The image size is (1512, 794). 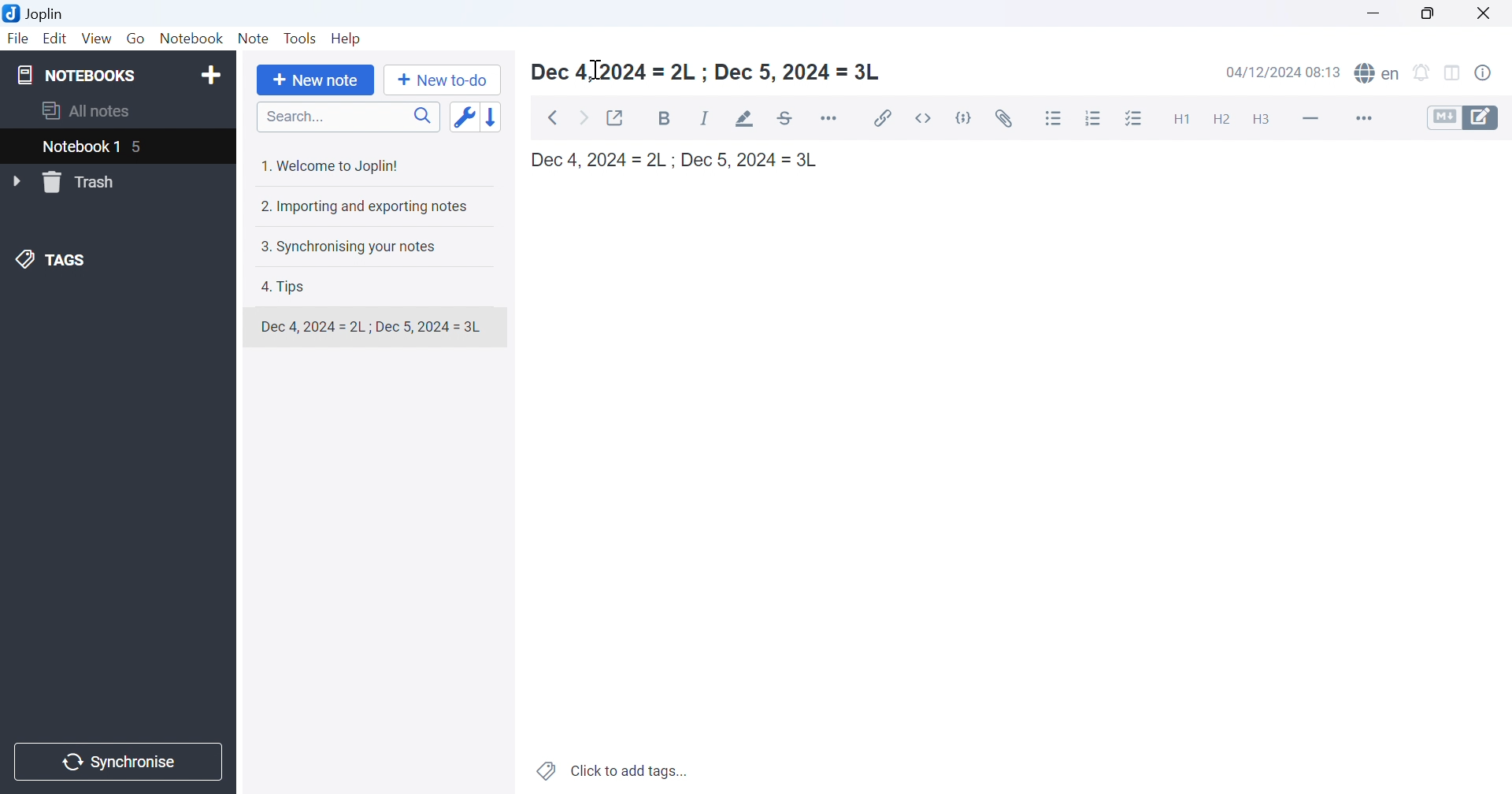 What do you see at coordinates (53, 262) in the screenshot?
I see `TAGS` at bounding box center [53, 262].